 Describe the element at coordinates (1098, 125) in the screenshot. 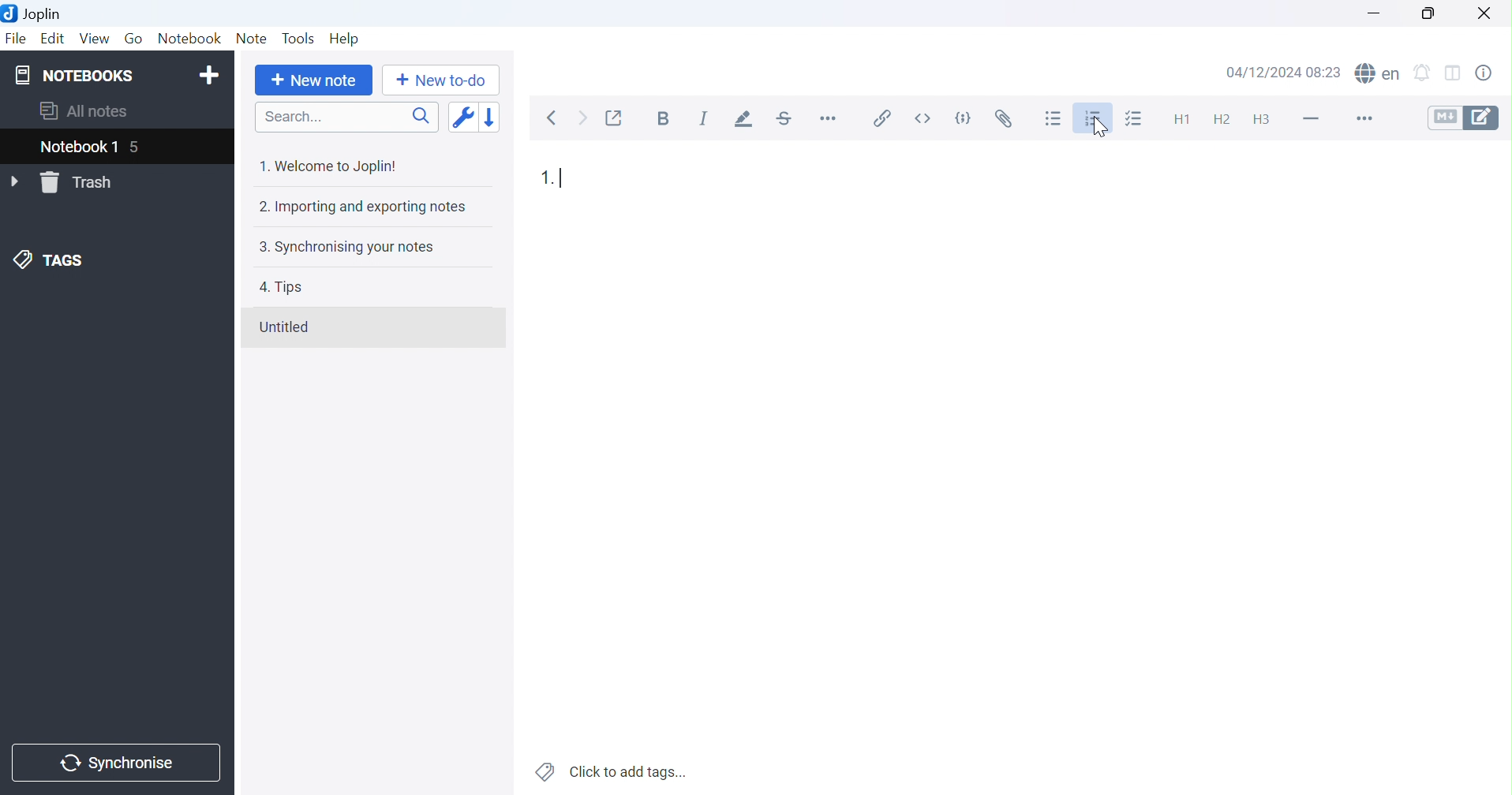

I see `Cursor` at that location.